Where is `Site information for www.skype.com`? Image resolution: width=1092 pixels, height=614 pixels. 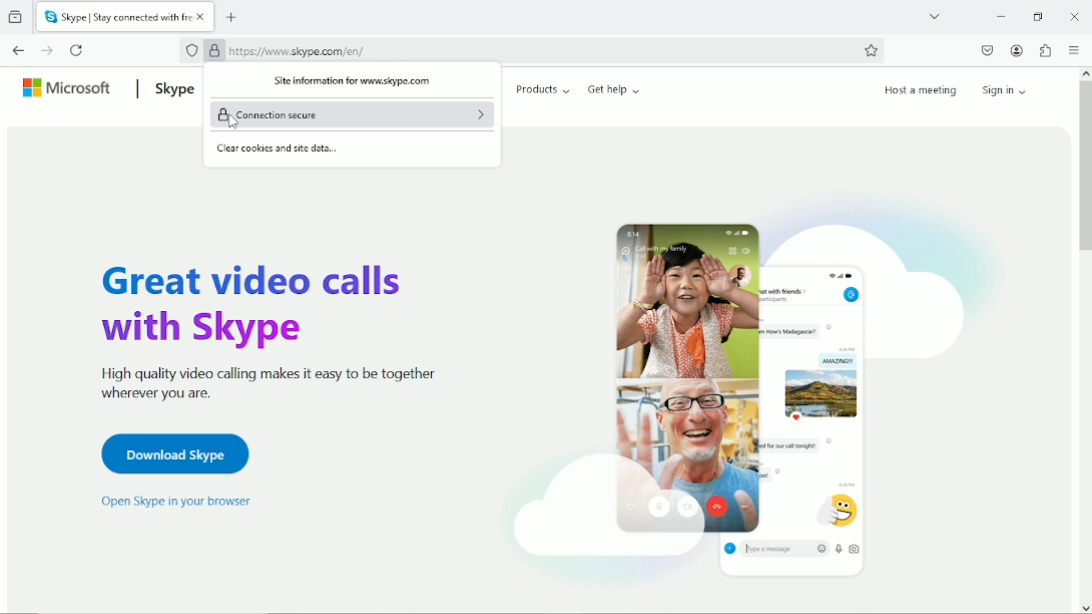
Site information for www.skype.com is located at coordinates (349, 82).